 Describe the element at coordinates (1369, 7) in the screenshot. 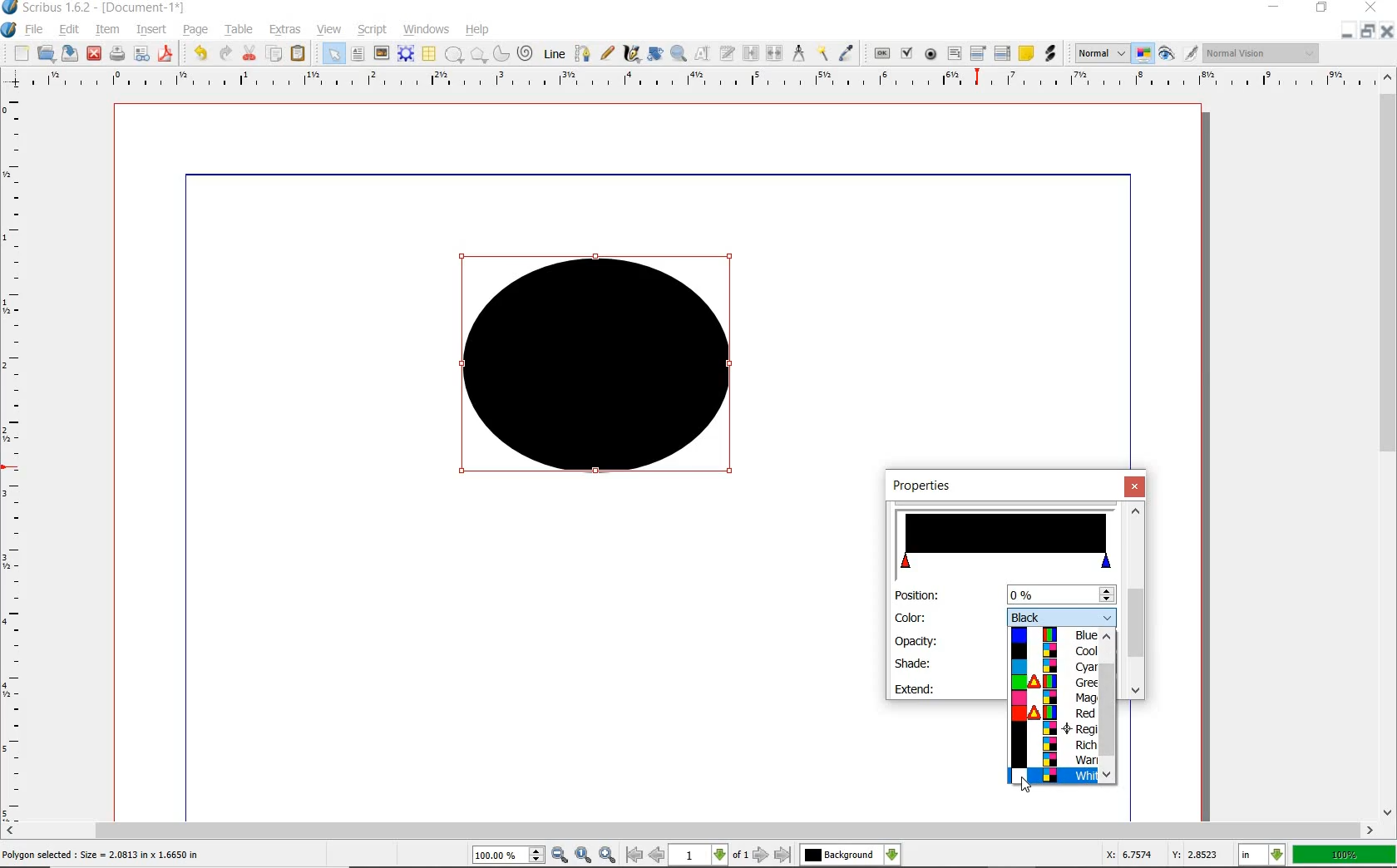

I see `CLOSE` at that location.